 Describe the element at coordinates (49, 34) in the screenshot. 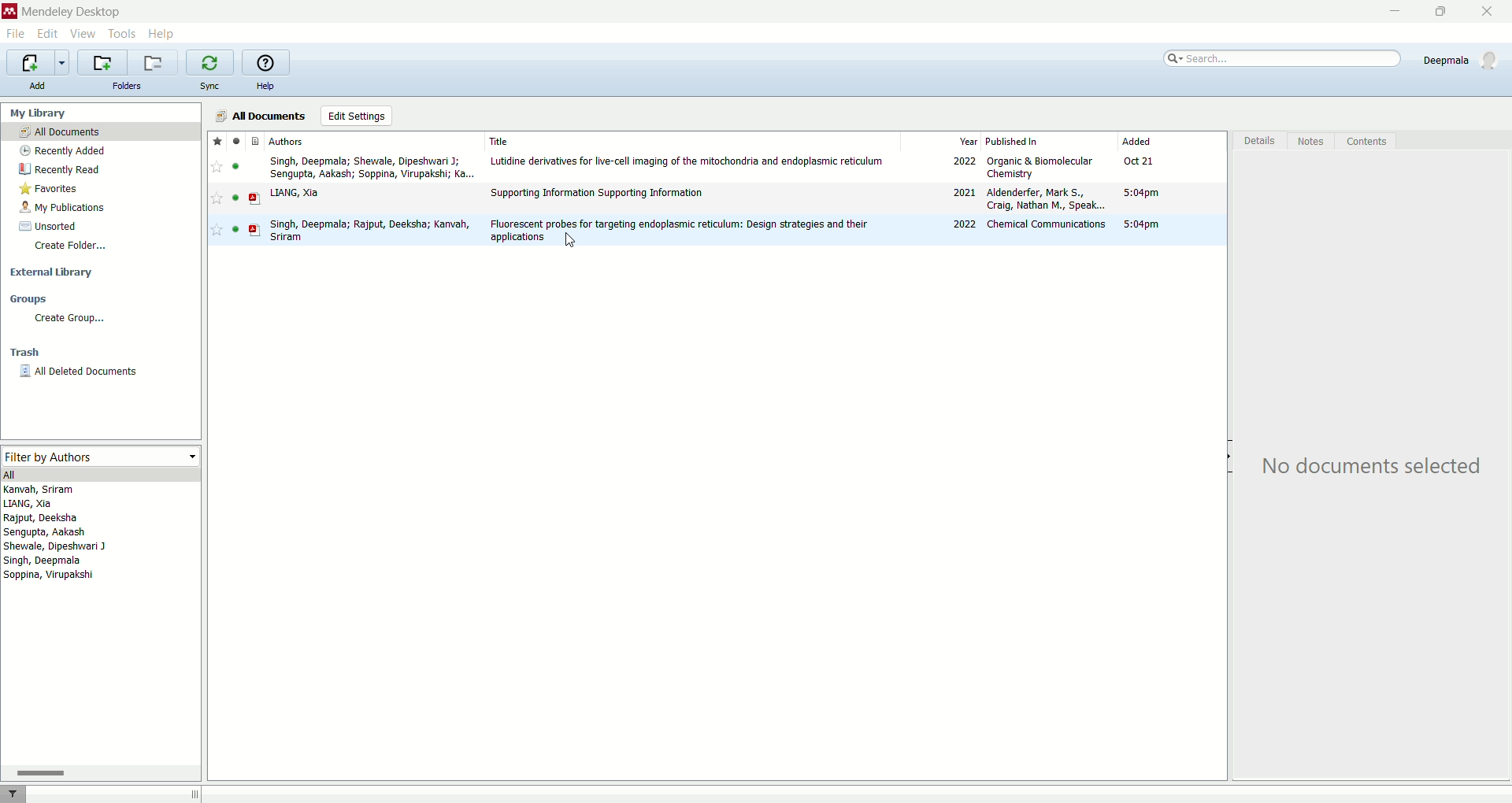

I see `edit` at that location.